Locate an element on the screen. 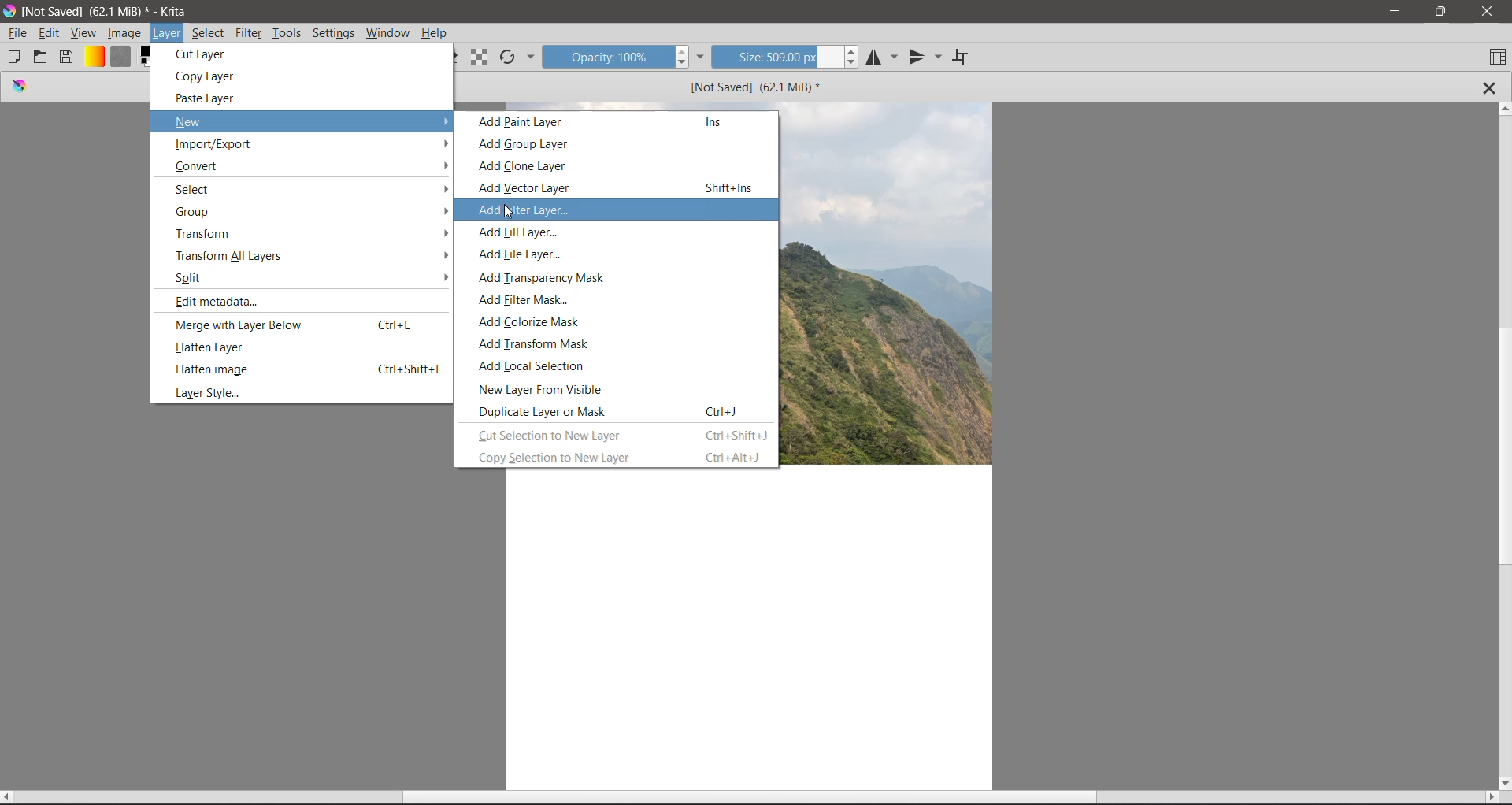 This screenshot has height=805, width=1512. Paste Layer is located at coordinates (209, 98).